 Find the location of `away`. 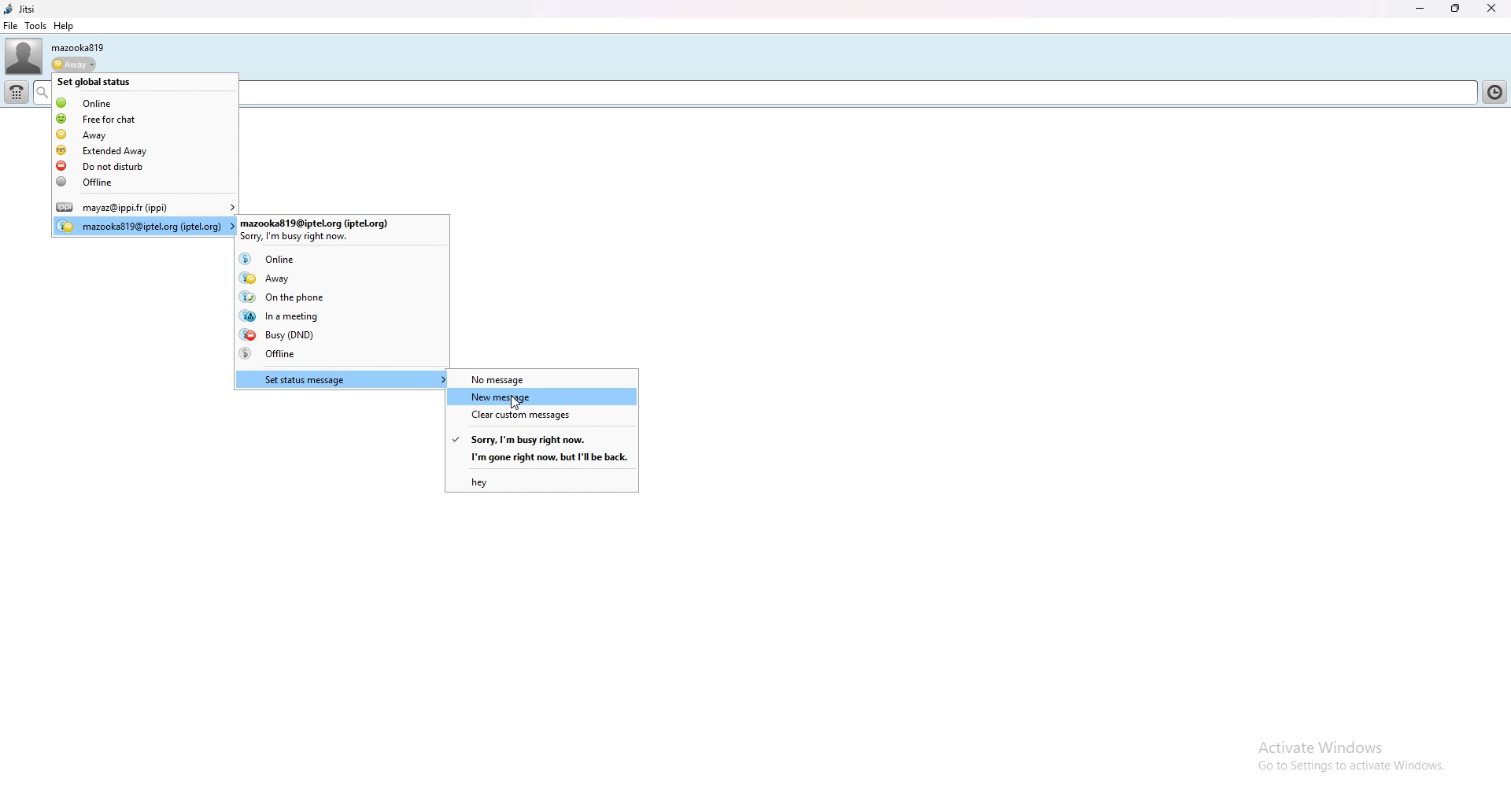

away is located at coordinates (347, 276).